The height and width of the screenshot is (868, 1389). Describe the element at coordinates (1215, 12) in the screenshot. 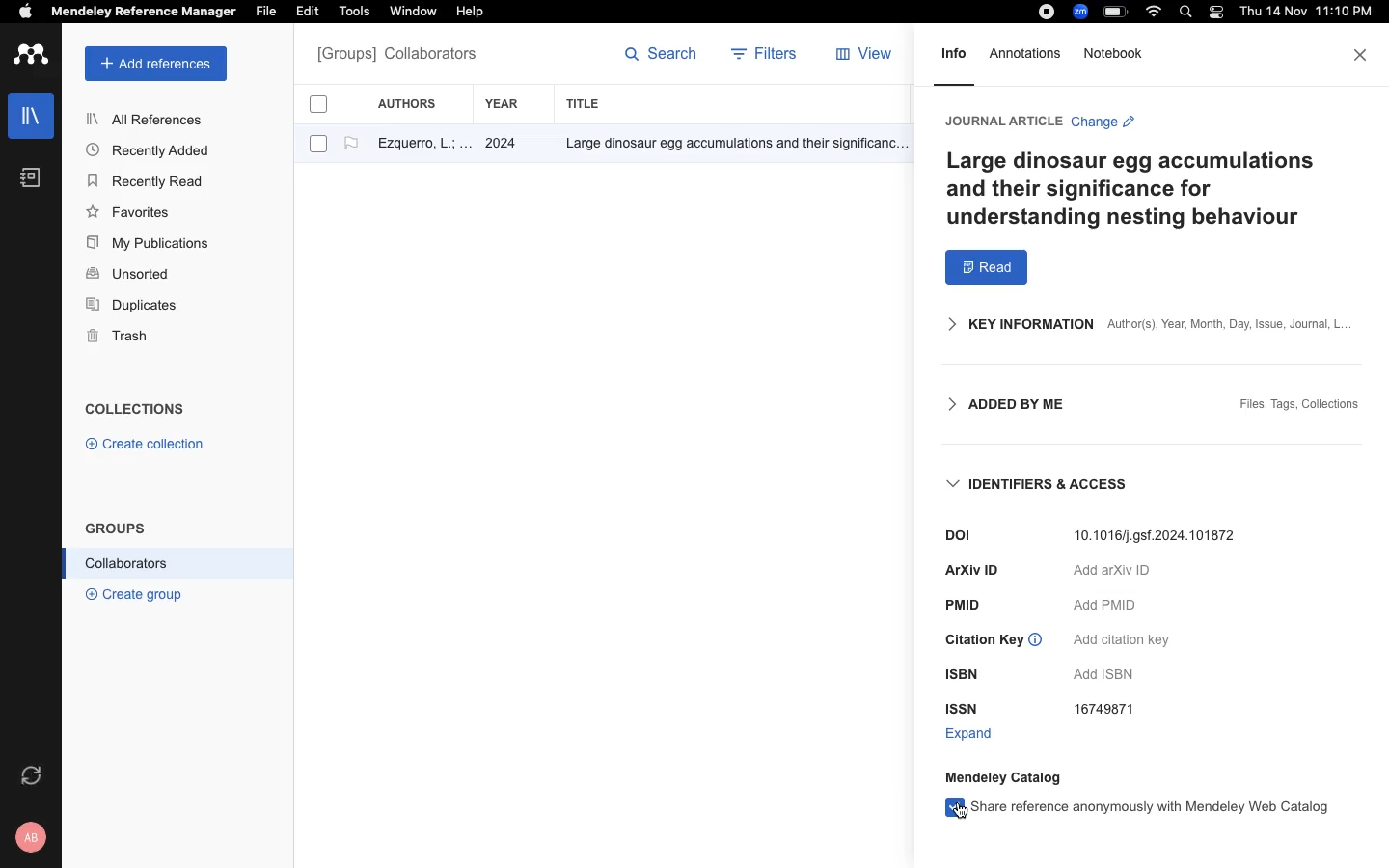

I see `light/dark mode` at that location.